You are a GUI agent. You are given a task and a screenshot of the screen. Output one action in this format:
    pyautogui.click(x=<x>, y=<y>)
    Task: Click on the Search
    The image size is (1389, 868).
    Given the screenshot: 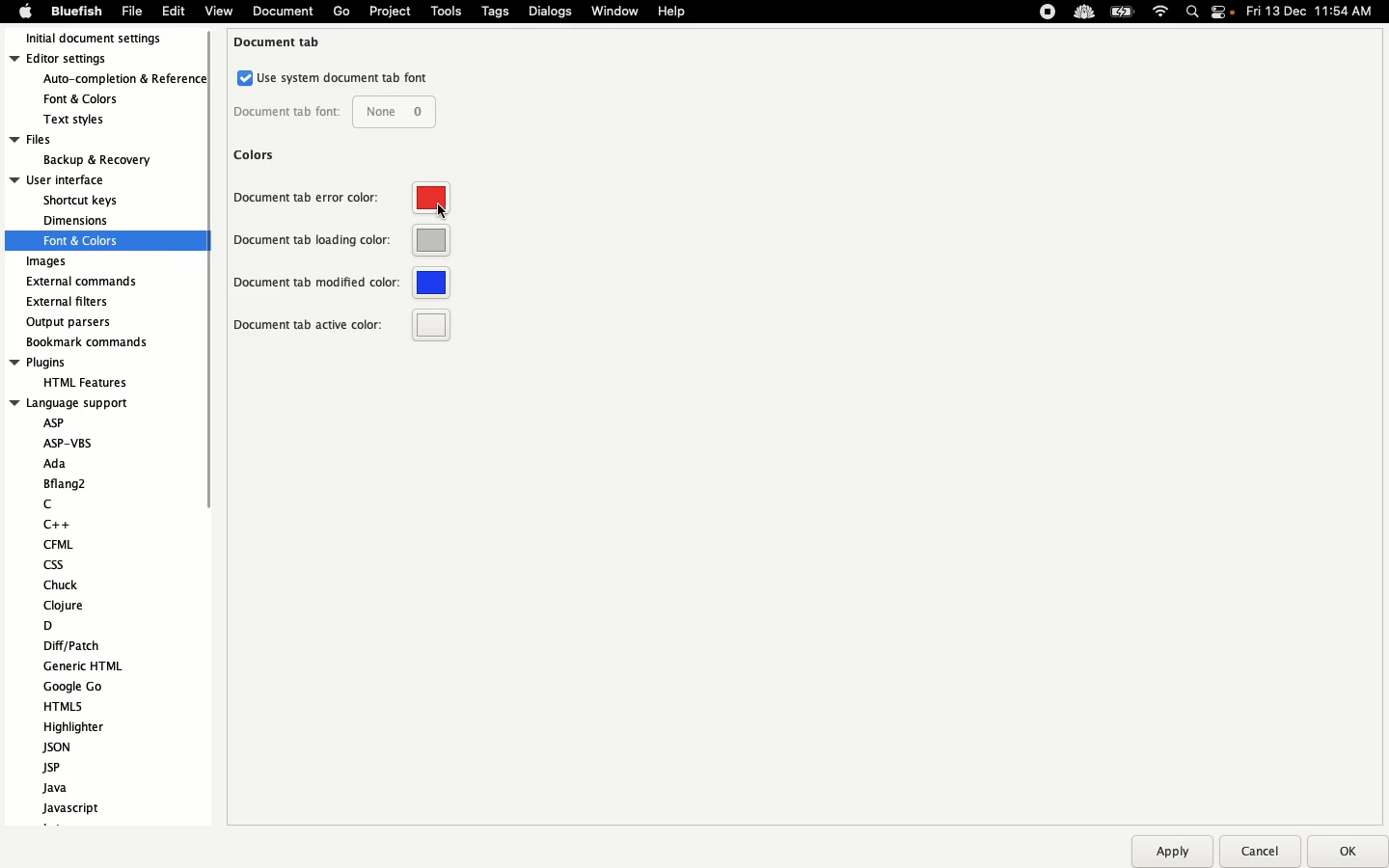 What is the action you would take?
    pyautogui.click(x=1193, y=14)
    